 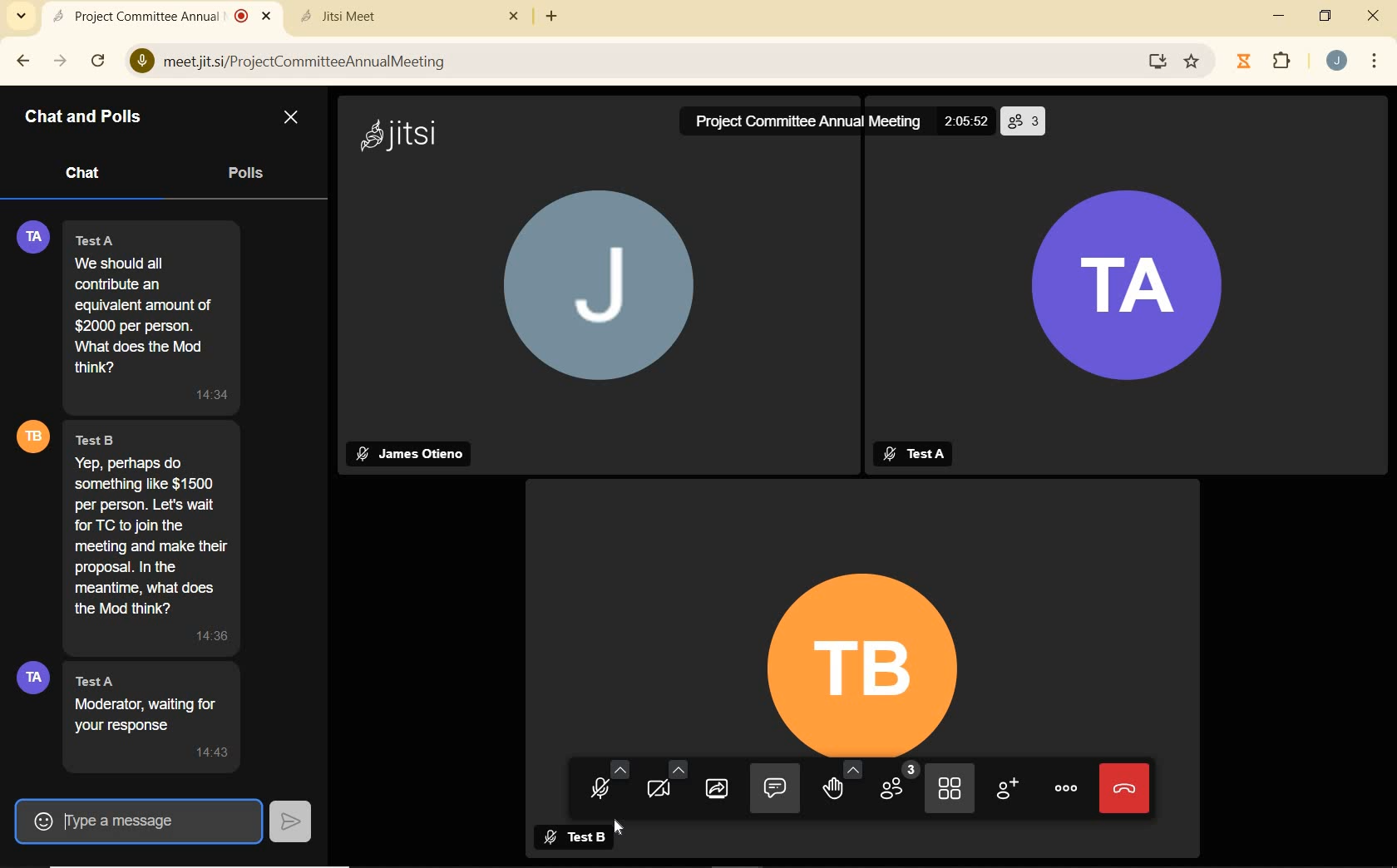 I want to click on back, so click(x=23, y=61).